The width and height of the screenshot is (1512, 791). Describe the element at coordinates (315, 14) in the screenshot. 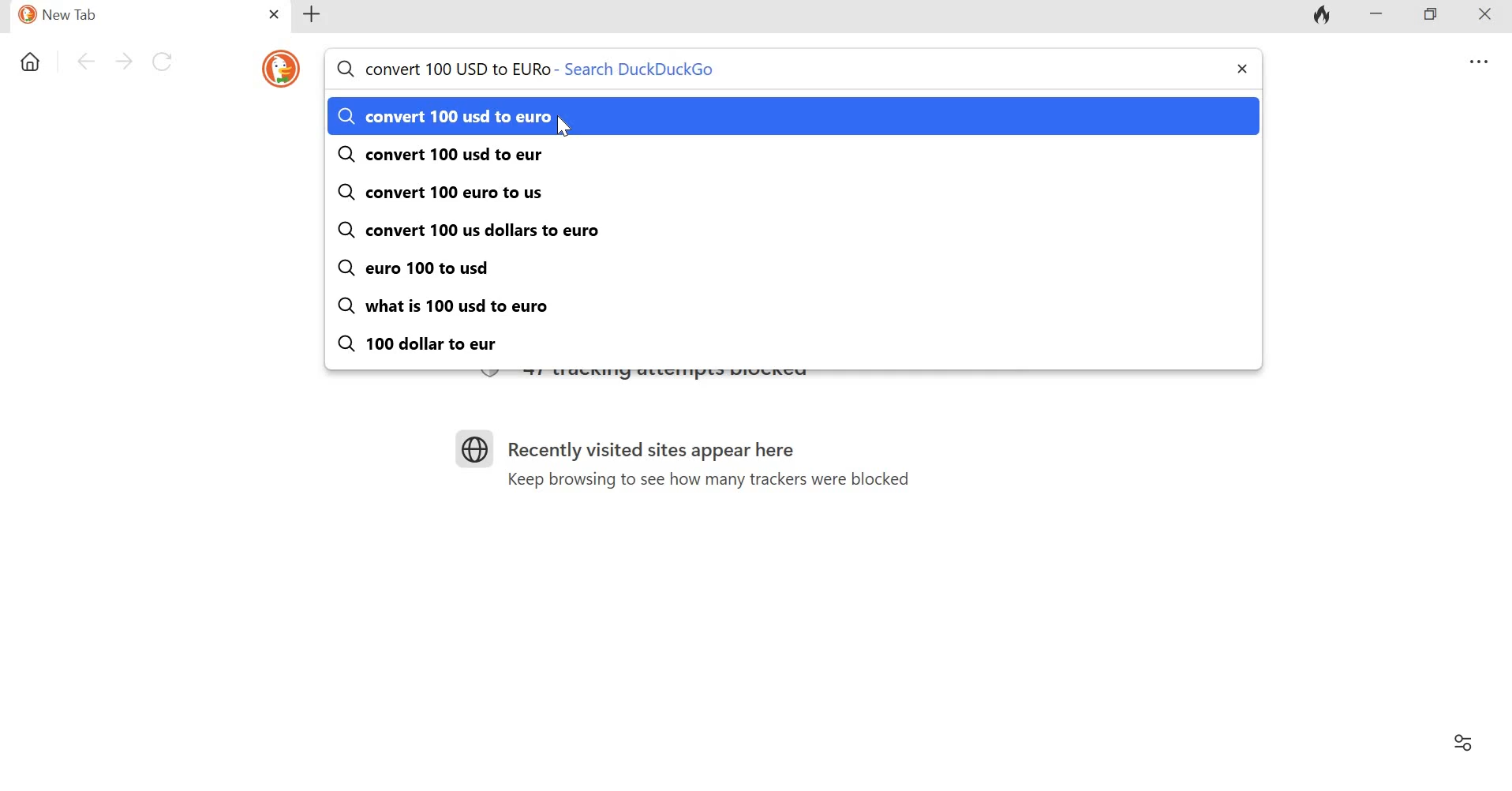

I see `Add new tab` at that location.